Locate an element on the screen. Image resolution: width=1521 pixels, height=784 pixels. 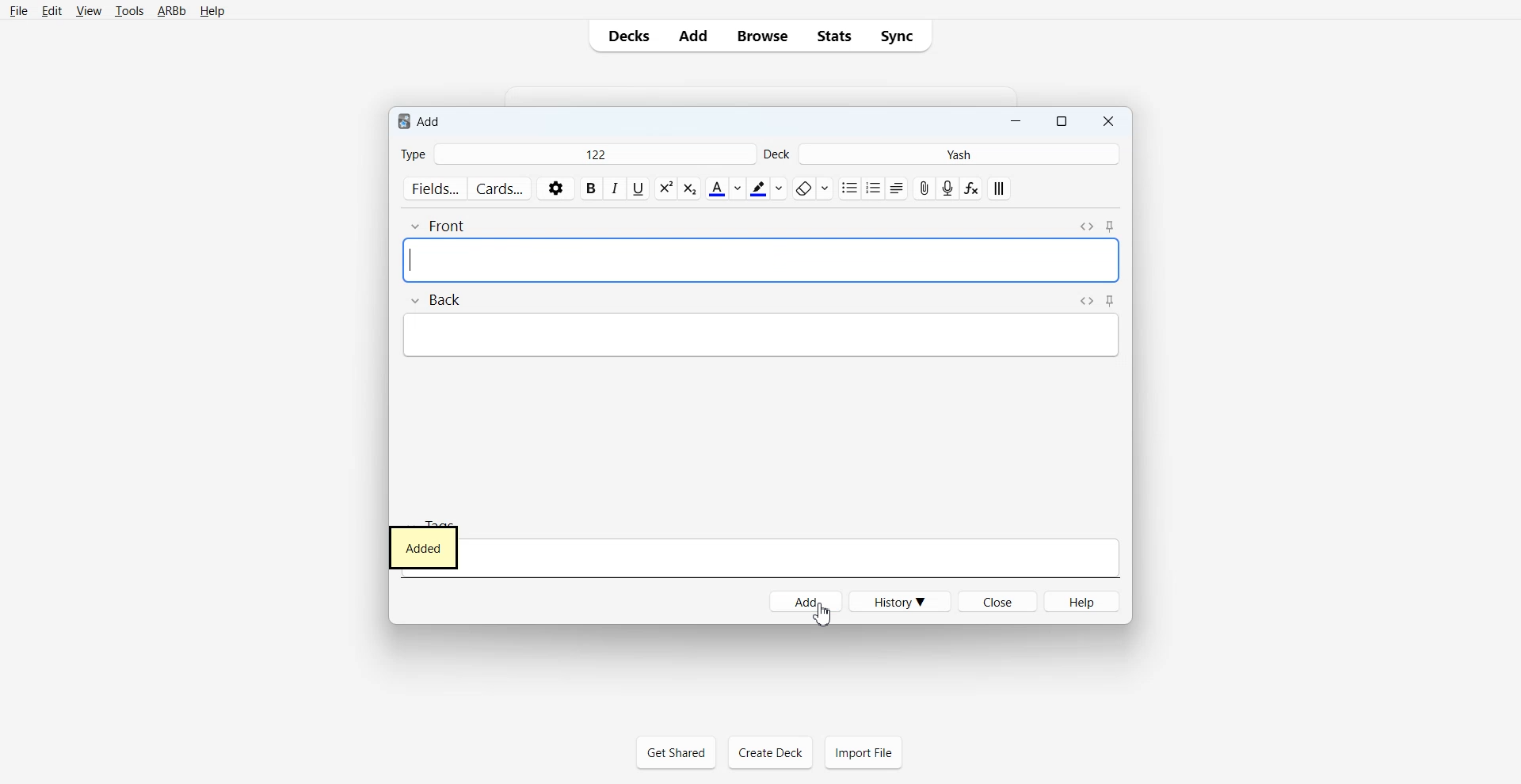
yash is located at coordinates (977, 152).